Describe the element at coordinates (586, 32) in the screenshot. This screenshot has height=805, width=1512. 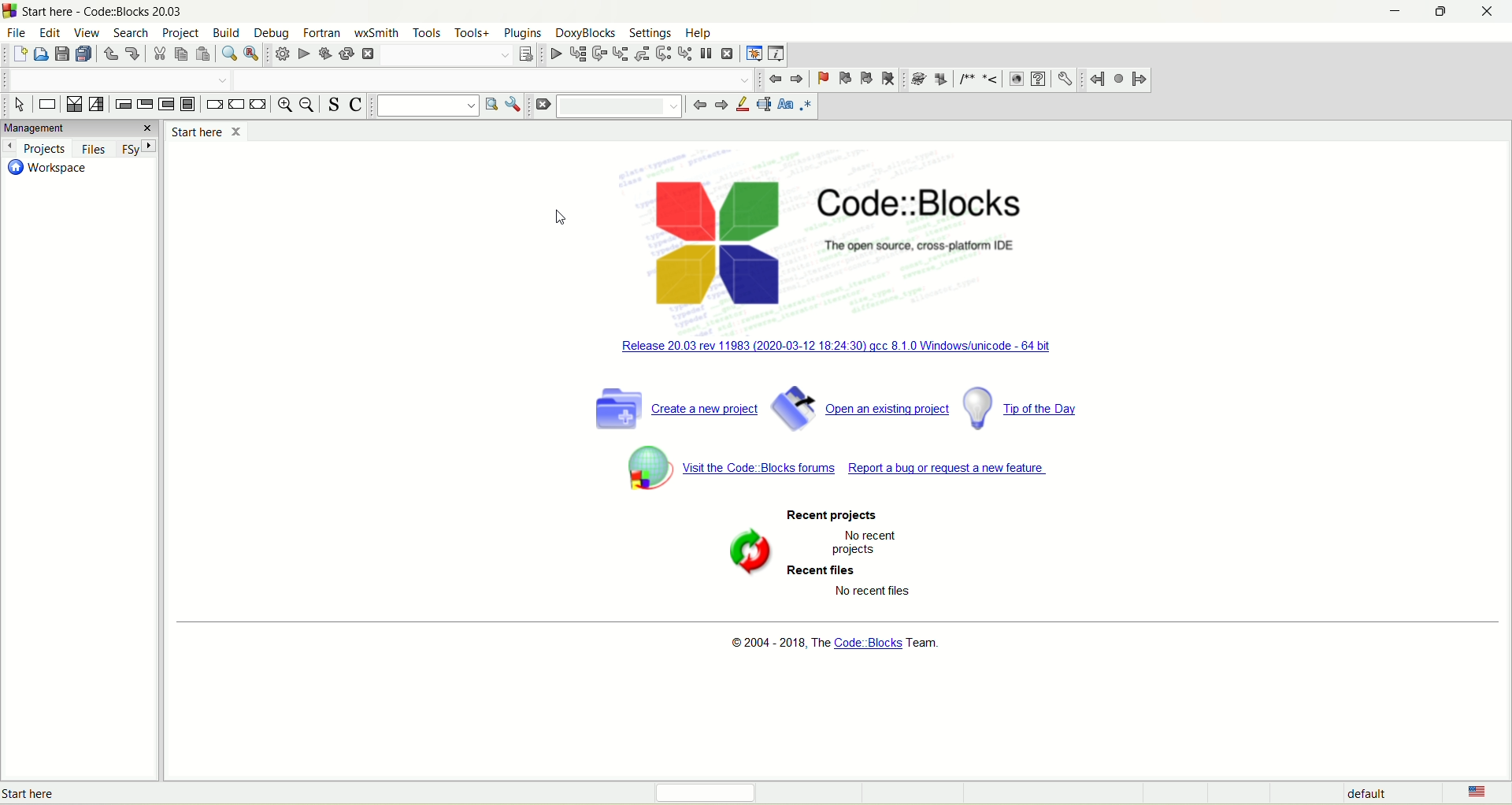
I see `doxyblock` at that location.